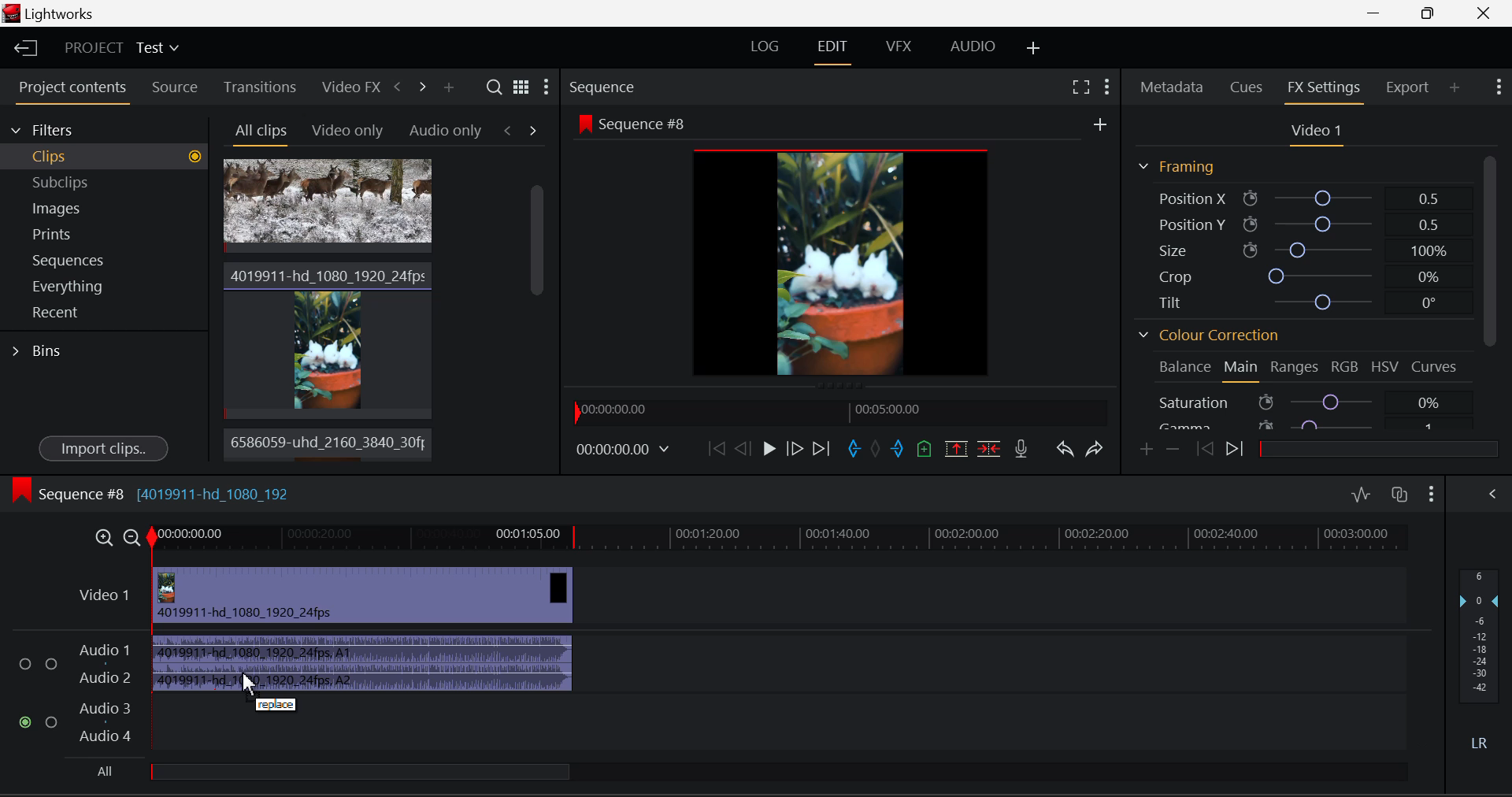  I want to click on Timeline Track, so click(781, 541).